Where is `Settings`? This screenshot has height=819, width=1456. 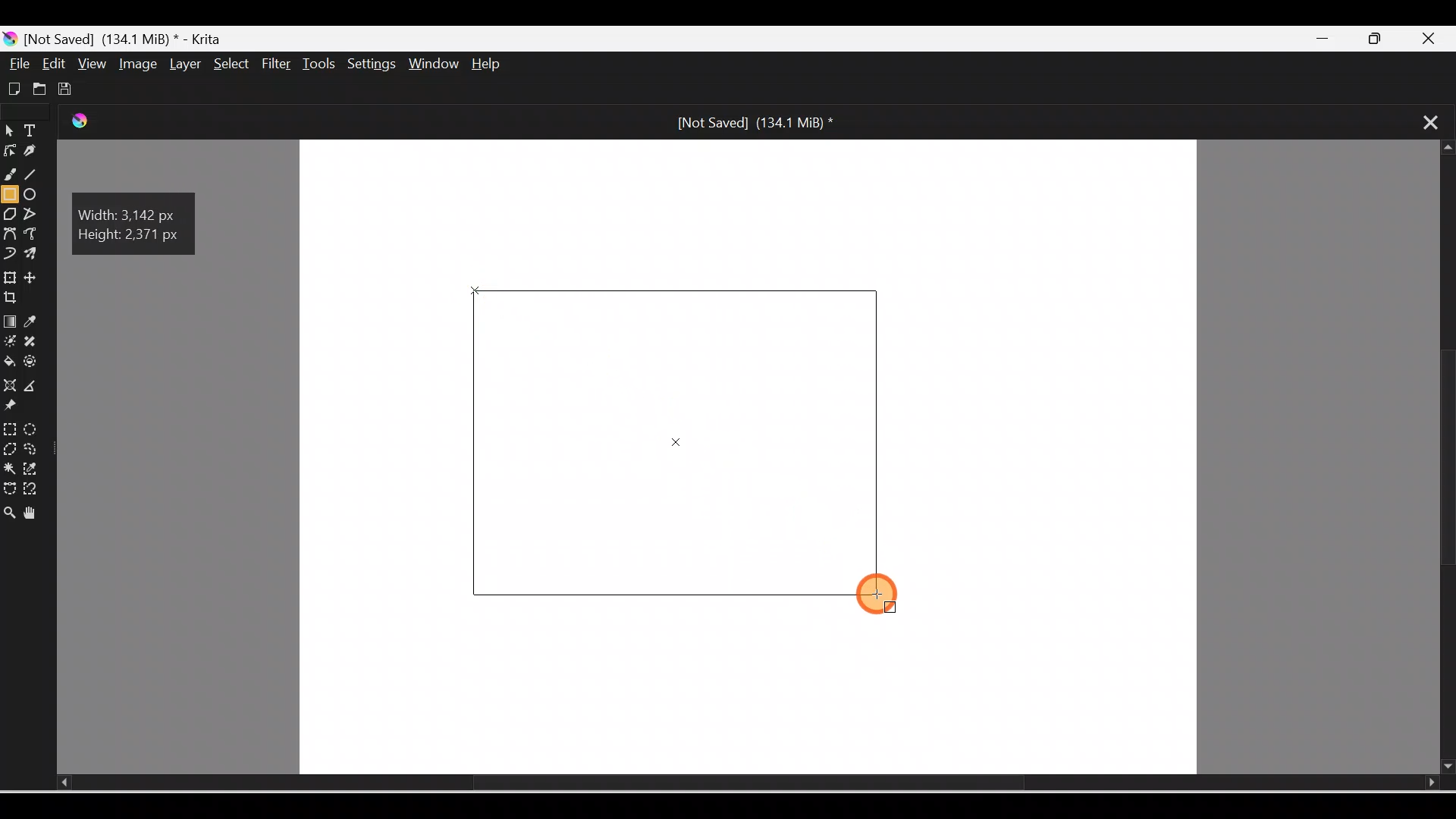
Settings is located at coordinates (373, 65).